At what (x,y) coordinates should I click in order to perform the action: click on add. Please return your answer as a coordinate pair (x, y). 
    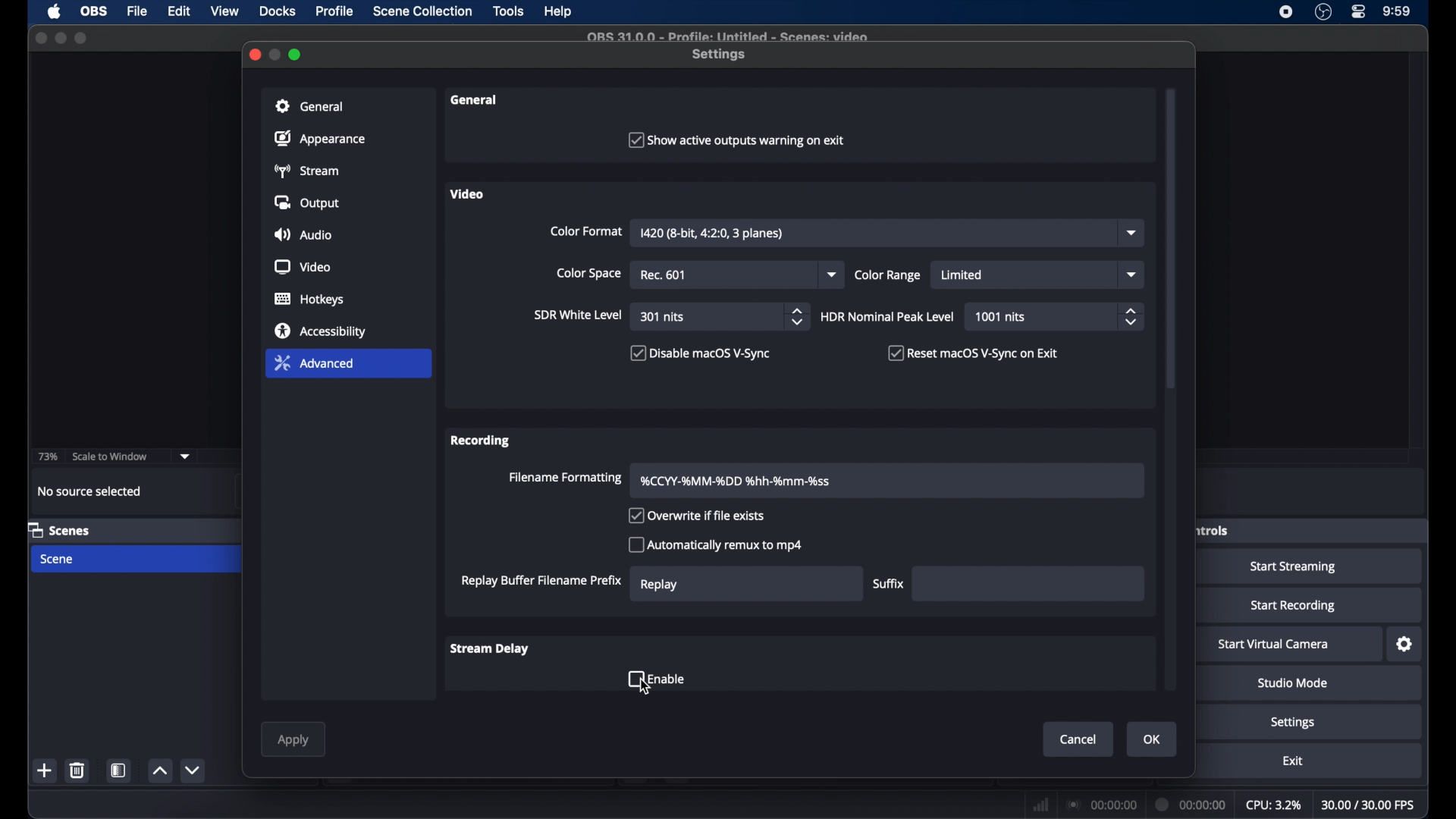
    Looking at the image, I should click on (45, 772).